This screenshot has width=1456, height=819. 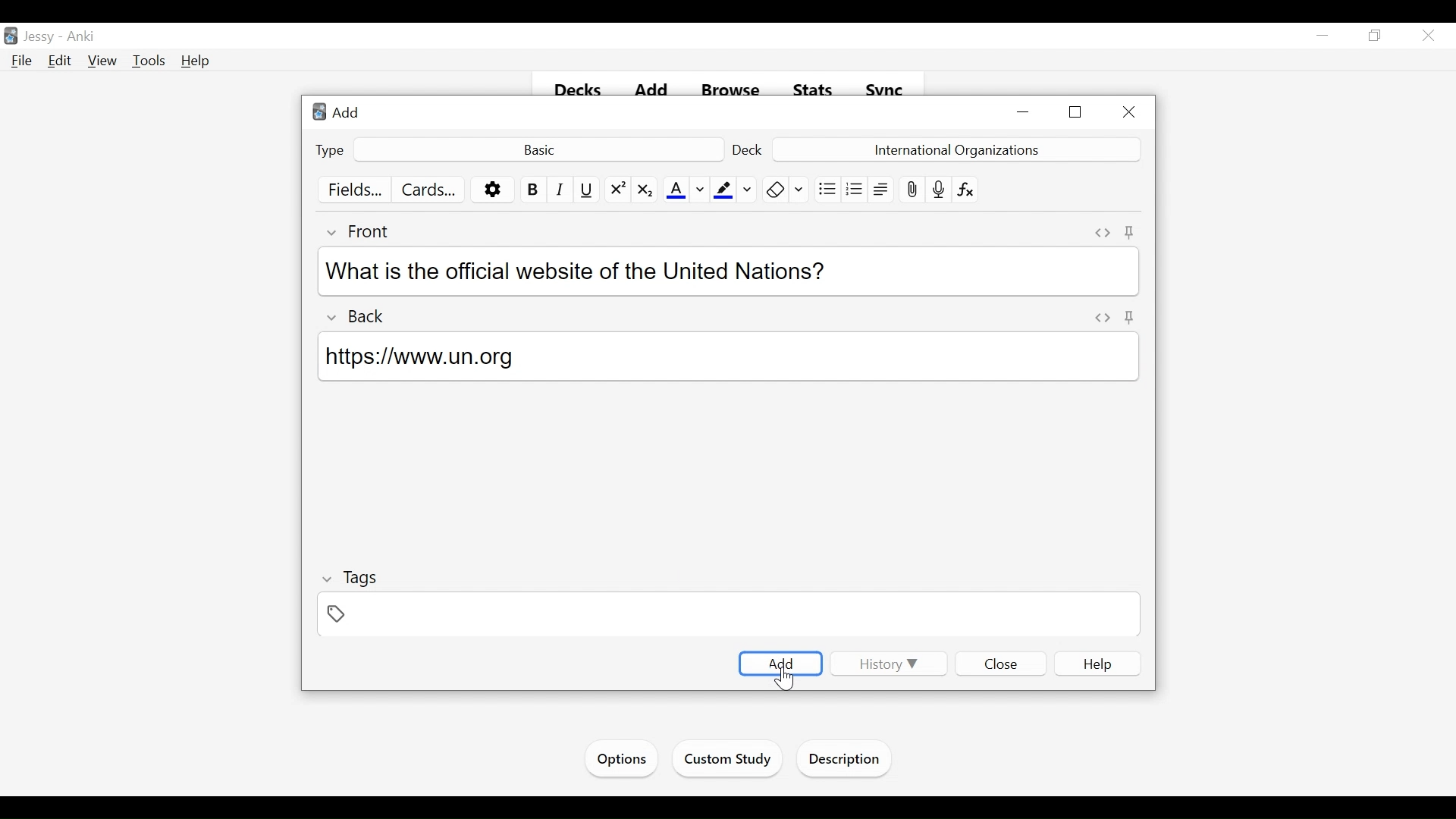 I want to click on Subscript, so click(x=645, y=190).